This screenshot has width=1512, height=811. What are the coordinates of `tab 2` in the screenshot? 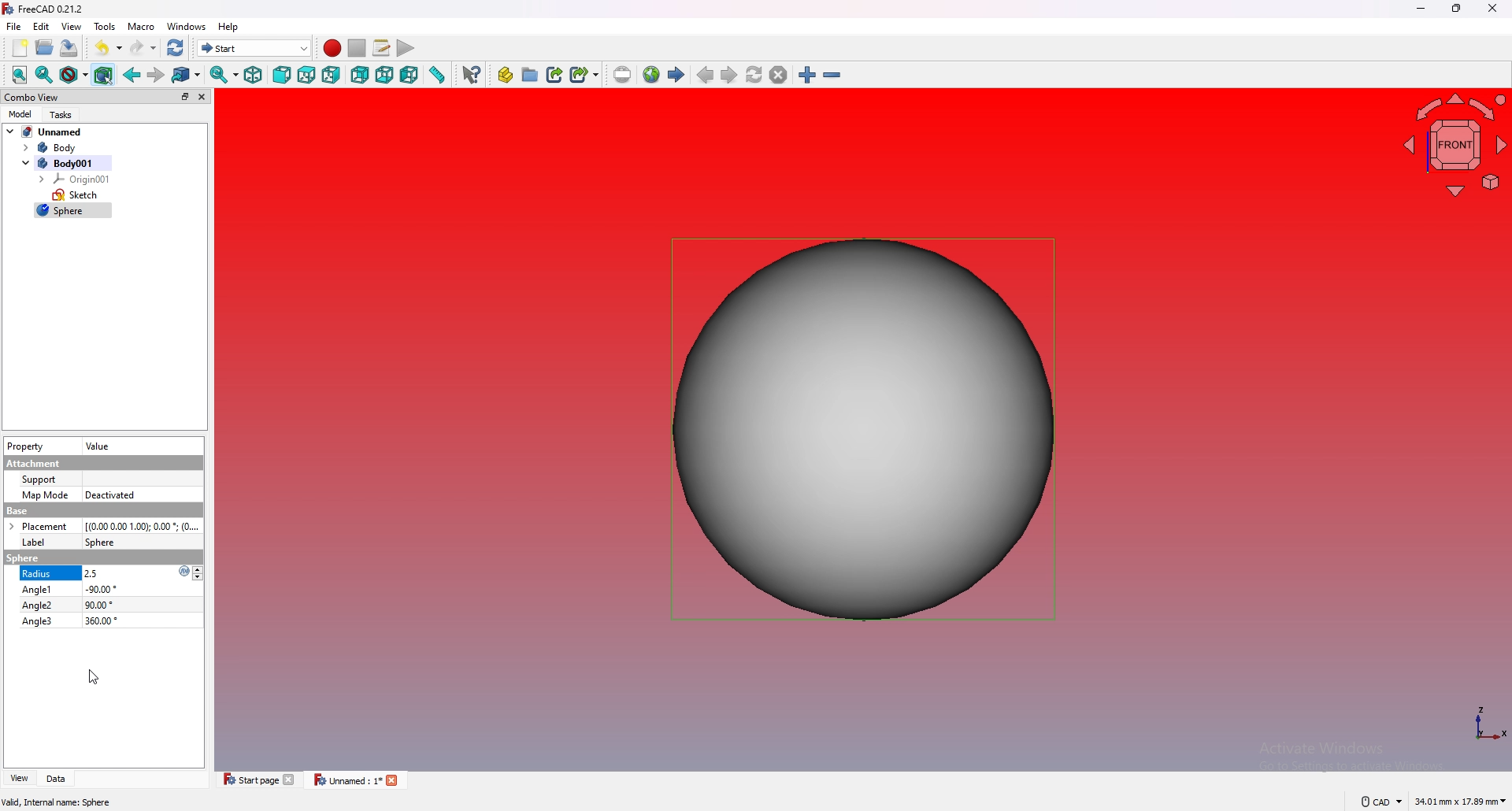 It's located at (358, 780).